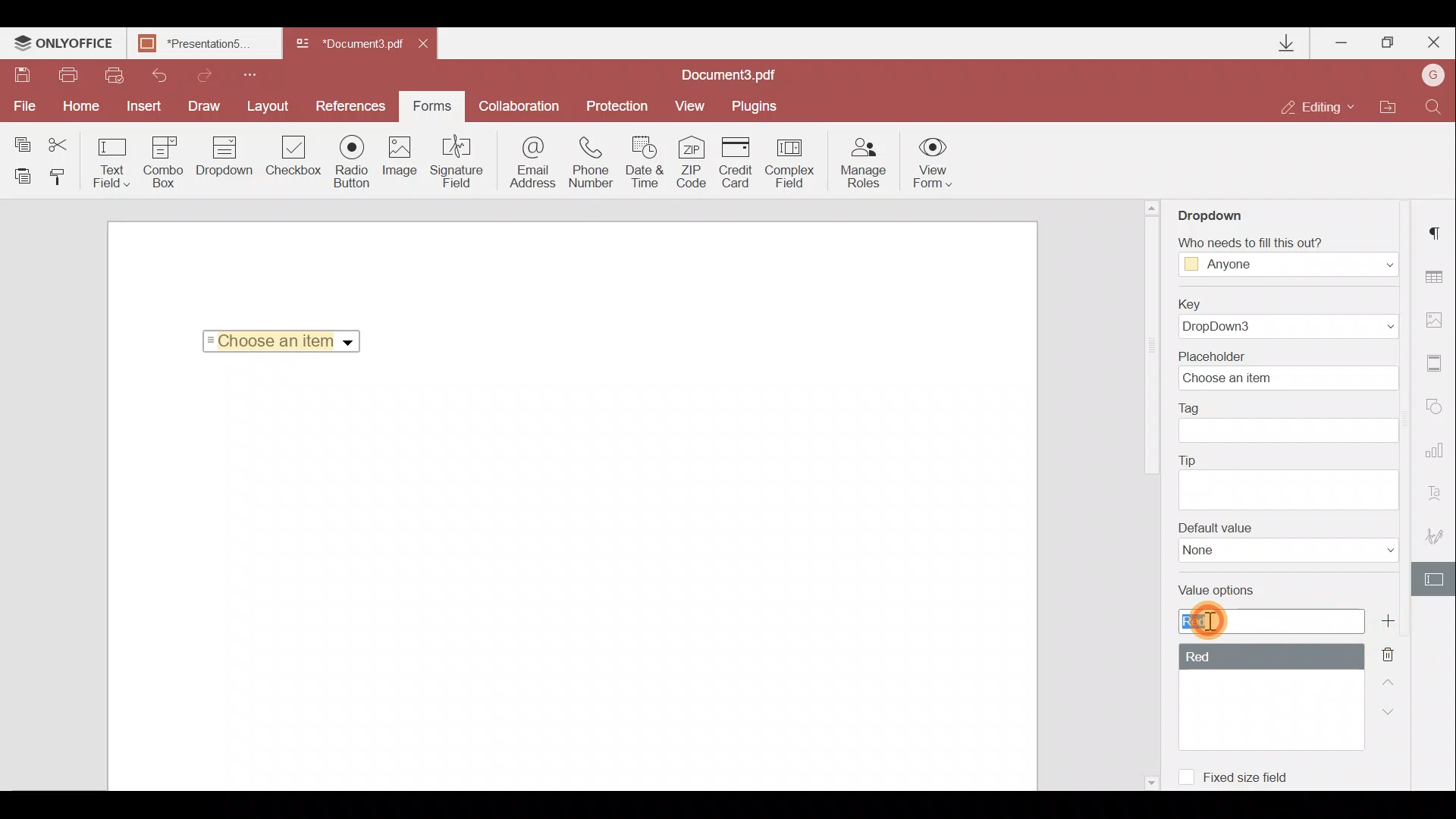 The height and width of the screenshot is (819, 1456). I want to click on Dropdown, so click(221, 165).